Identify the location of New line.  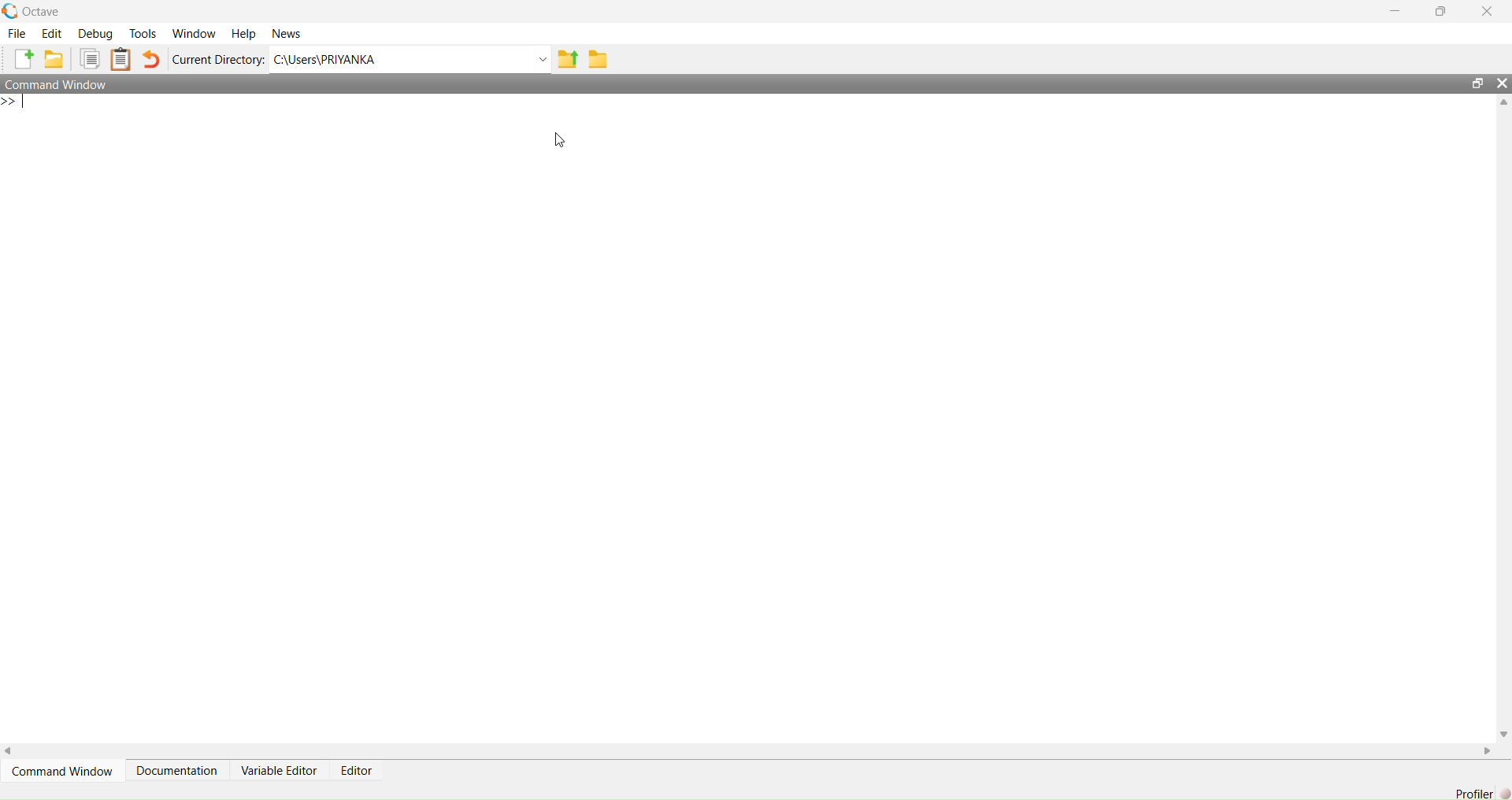
(15, 101).